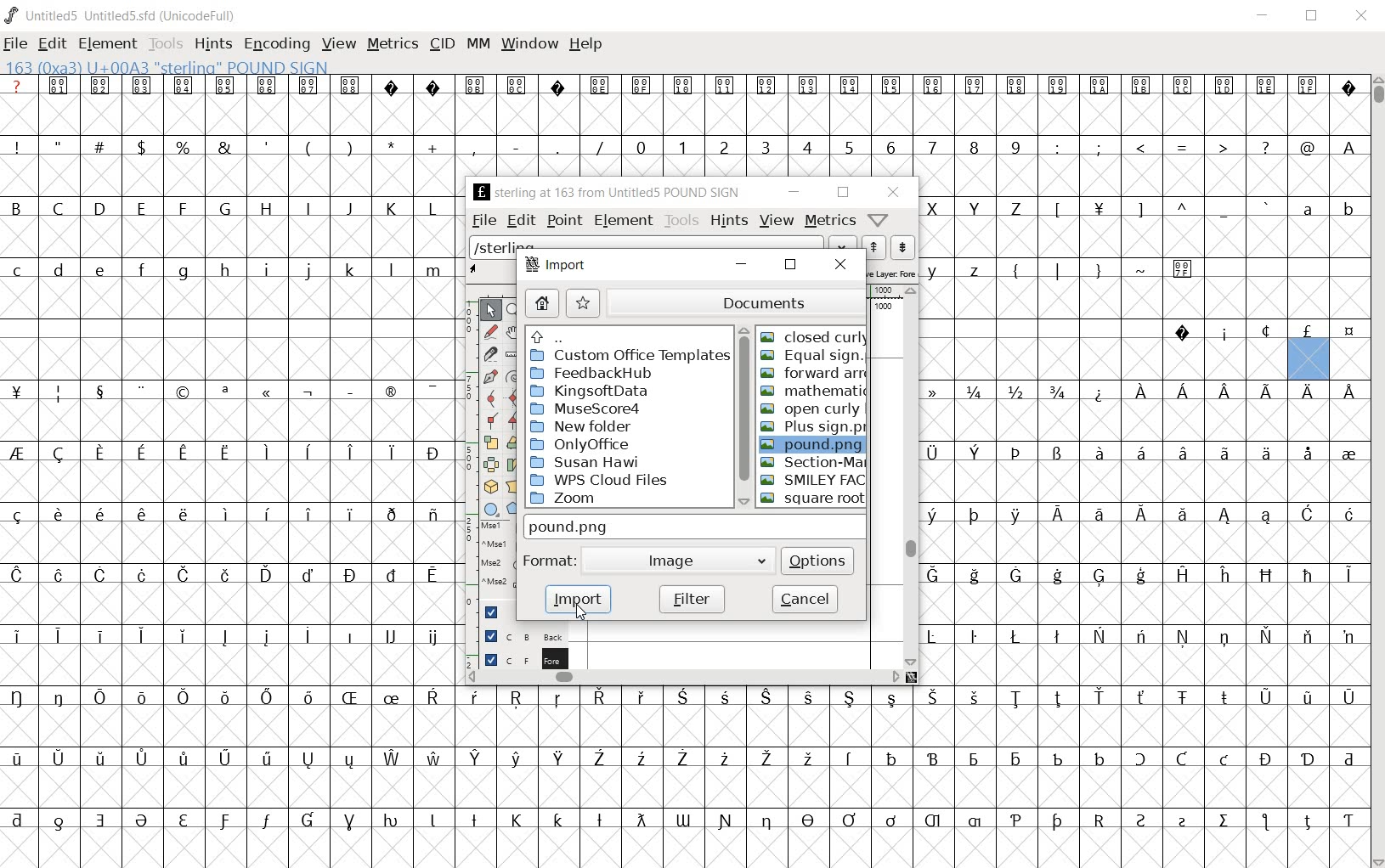 This screenshot has width=1385, height=868. Describe the element at coordinates (59, 454) in the screenshot. I see `Symbol` at that location.